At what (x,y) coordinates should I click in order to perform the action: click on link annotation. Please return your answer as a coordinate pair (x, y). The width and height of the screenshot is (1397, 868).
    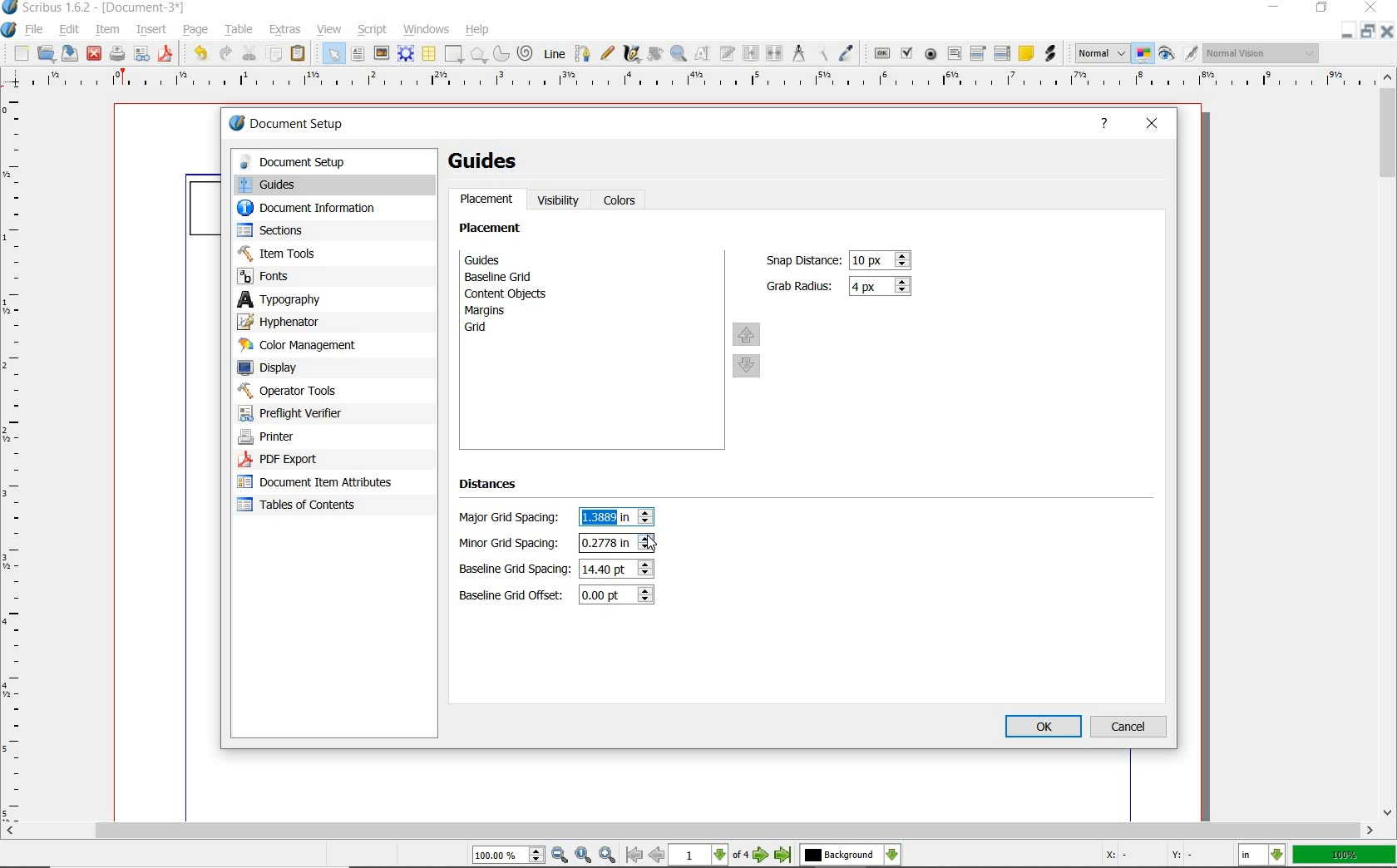
    Looking at the image, I should click on (1053, 55).